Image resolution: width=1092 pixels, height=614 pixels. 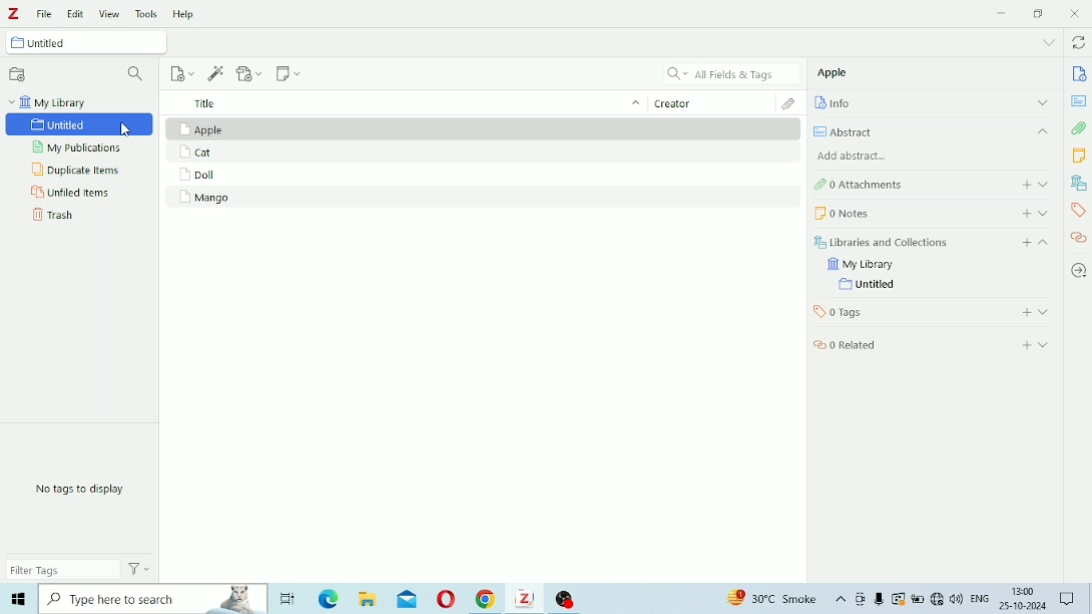 I want to click on Related, so click(x=845, y=345).